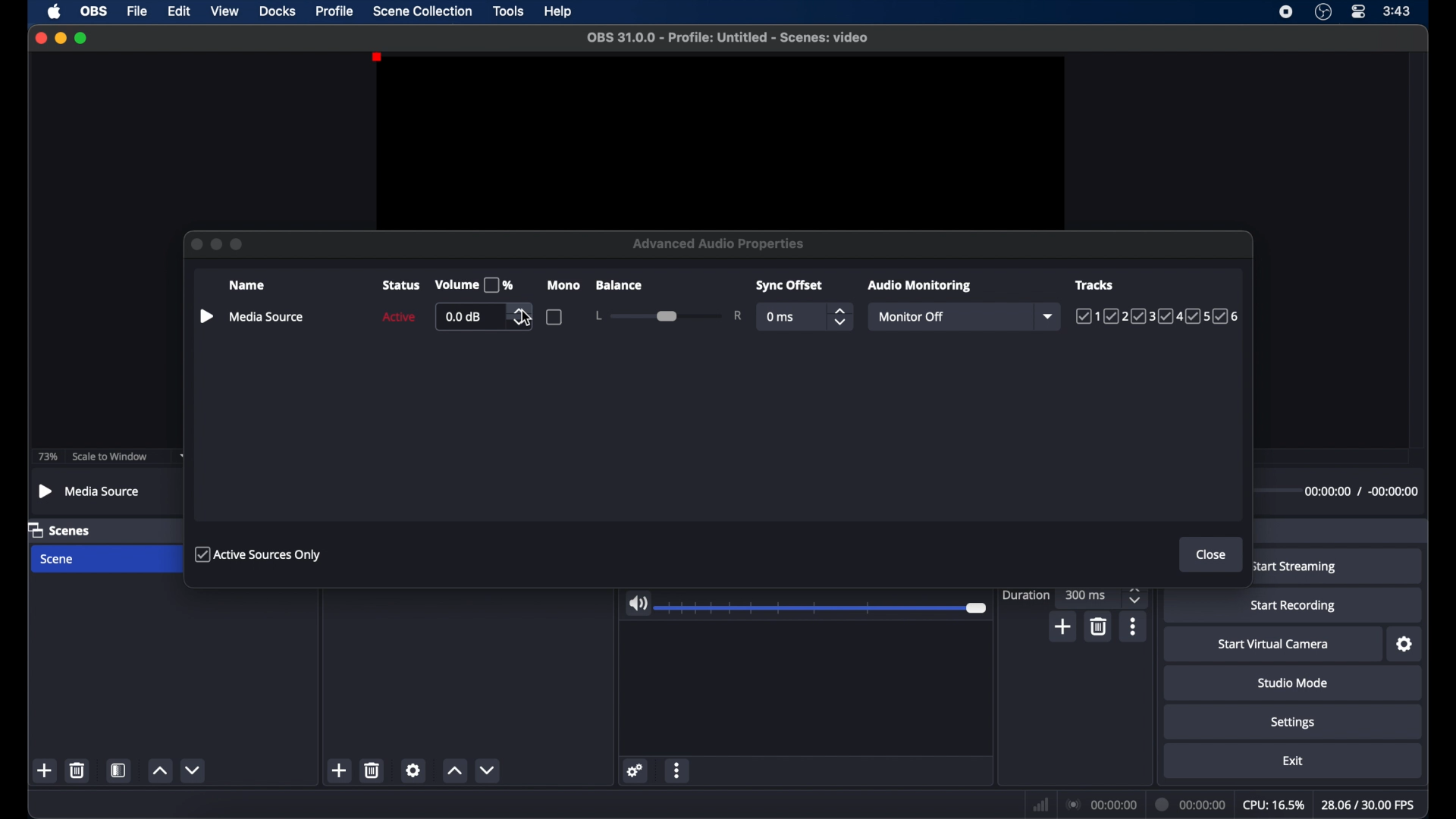 The width and height of the screenshot is (1456, 819). What do you see at coordinates (1293, 606) in the screenshot?
I see `start recording` at bounding box center [1293, 606].